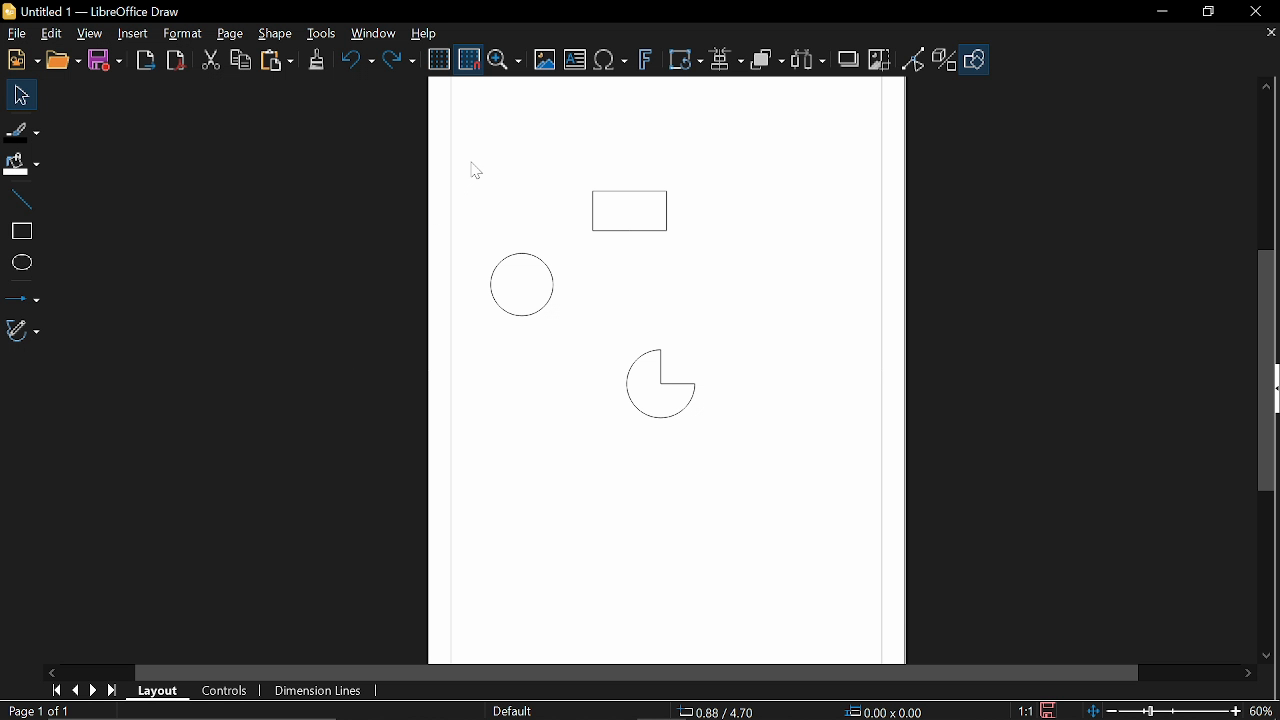  What do you see at coordinates (20, 262) in the screenshot?
I see `Ellips` at bounding box center [20, 262].